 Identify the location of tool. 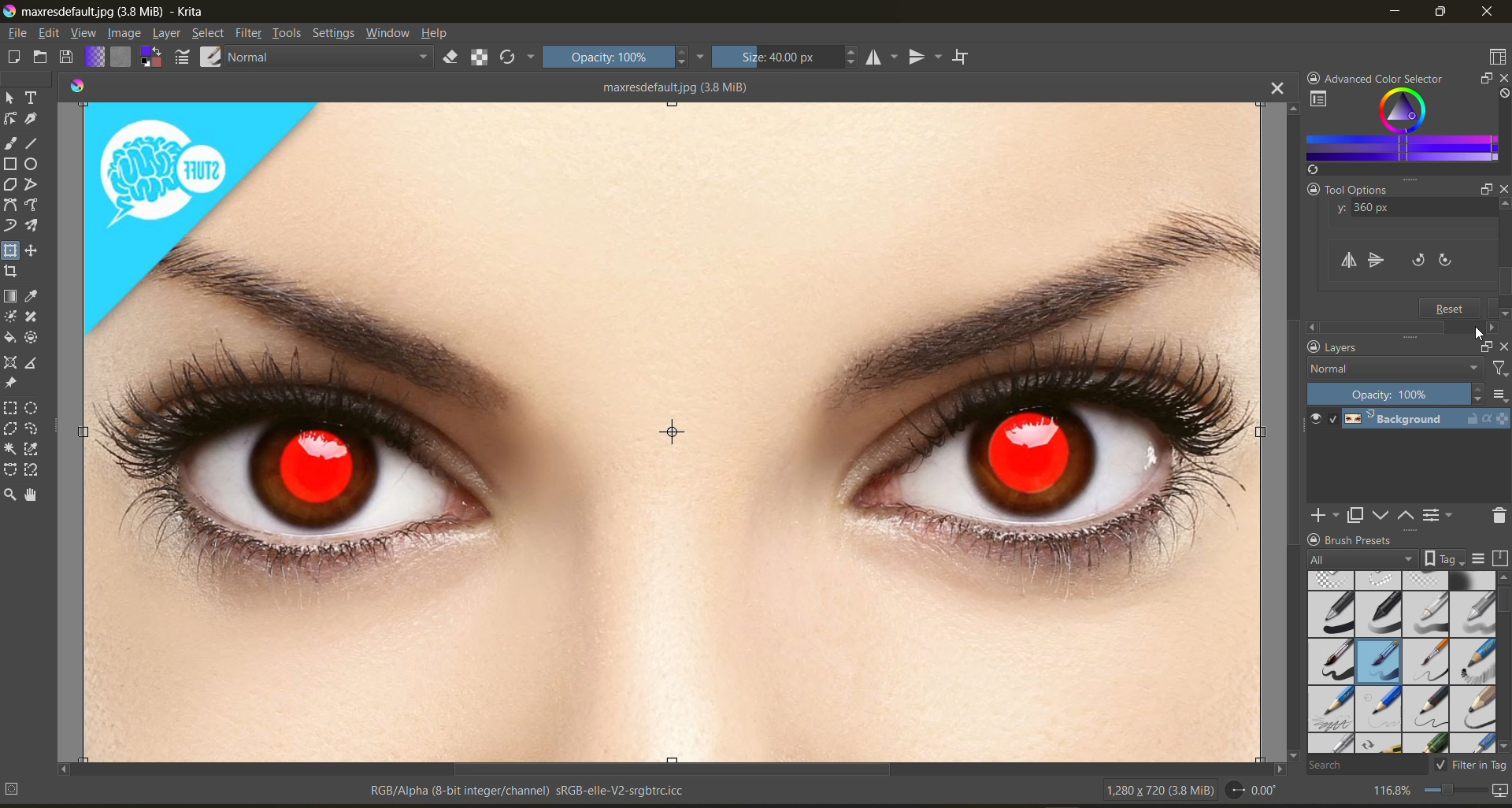
(33, 165).